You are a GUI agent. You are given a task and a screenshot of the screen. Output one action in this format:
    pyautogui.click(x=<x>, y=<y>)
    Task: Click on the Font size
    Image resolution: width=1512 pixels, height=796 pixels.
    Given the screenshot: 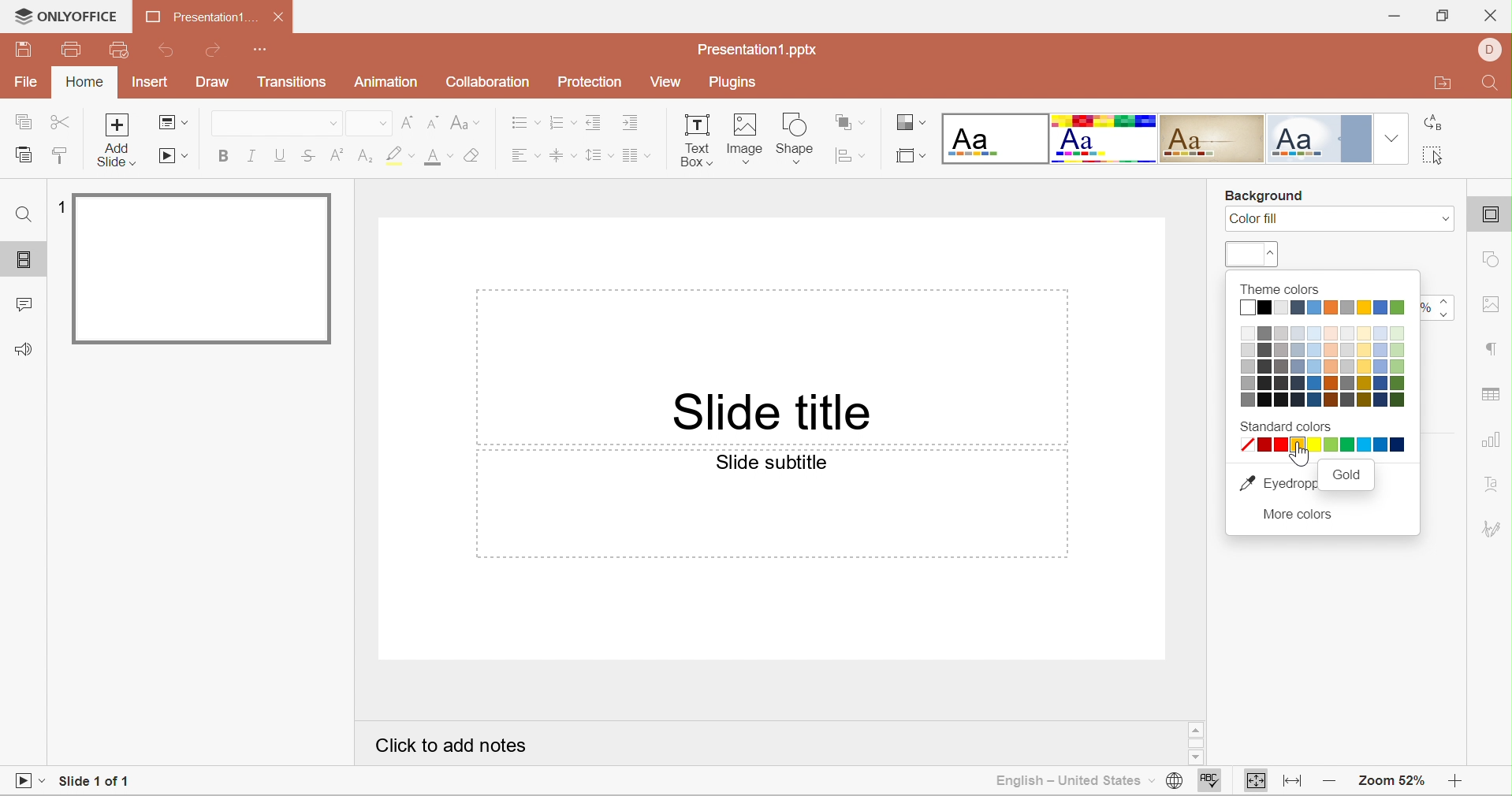 What is the action you would take?
    pyautogui.click(x=438, y=157)
    